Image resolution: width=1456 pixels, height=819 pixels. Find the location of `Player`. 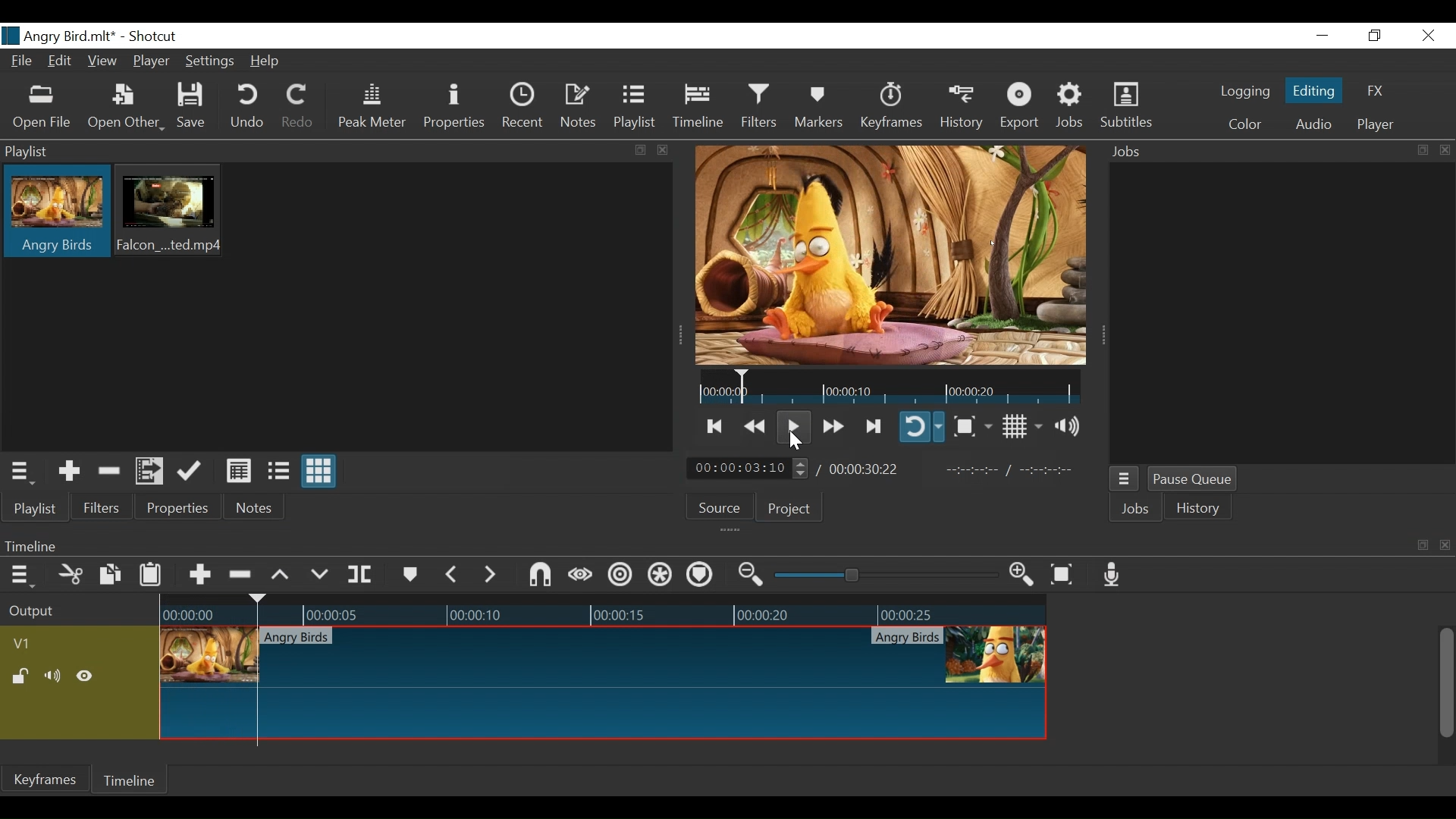

Player is located at coordinates (152, 63).